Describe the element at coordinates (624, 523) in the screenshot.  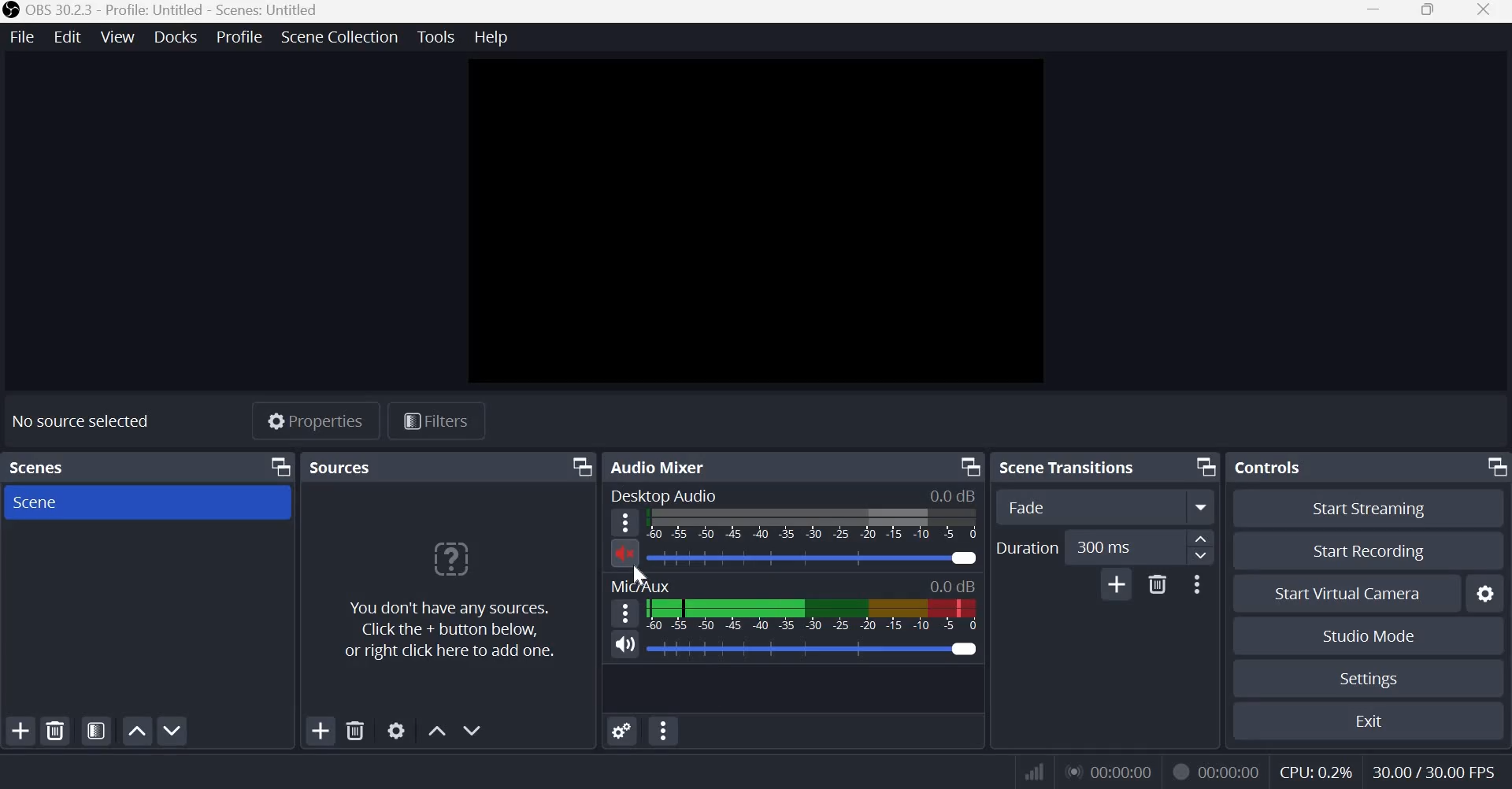
I see `hamburger menu` at that location.